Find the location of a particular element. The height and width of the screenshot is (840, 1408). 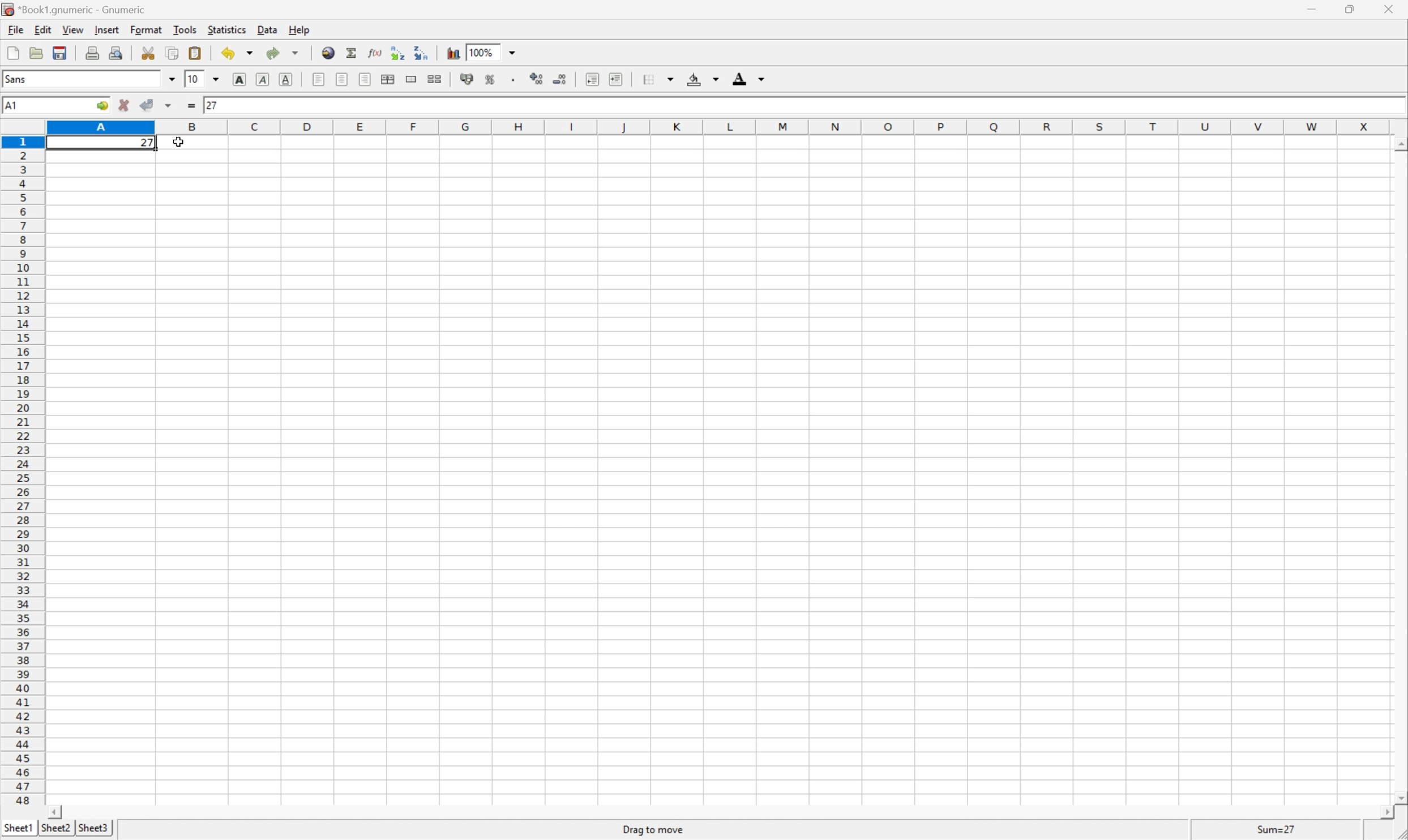

Insert a chart is located at coordinates (452, 52).